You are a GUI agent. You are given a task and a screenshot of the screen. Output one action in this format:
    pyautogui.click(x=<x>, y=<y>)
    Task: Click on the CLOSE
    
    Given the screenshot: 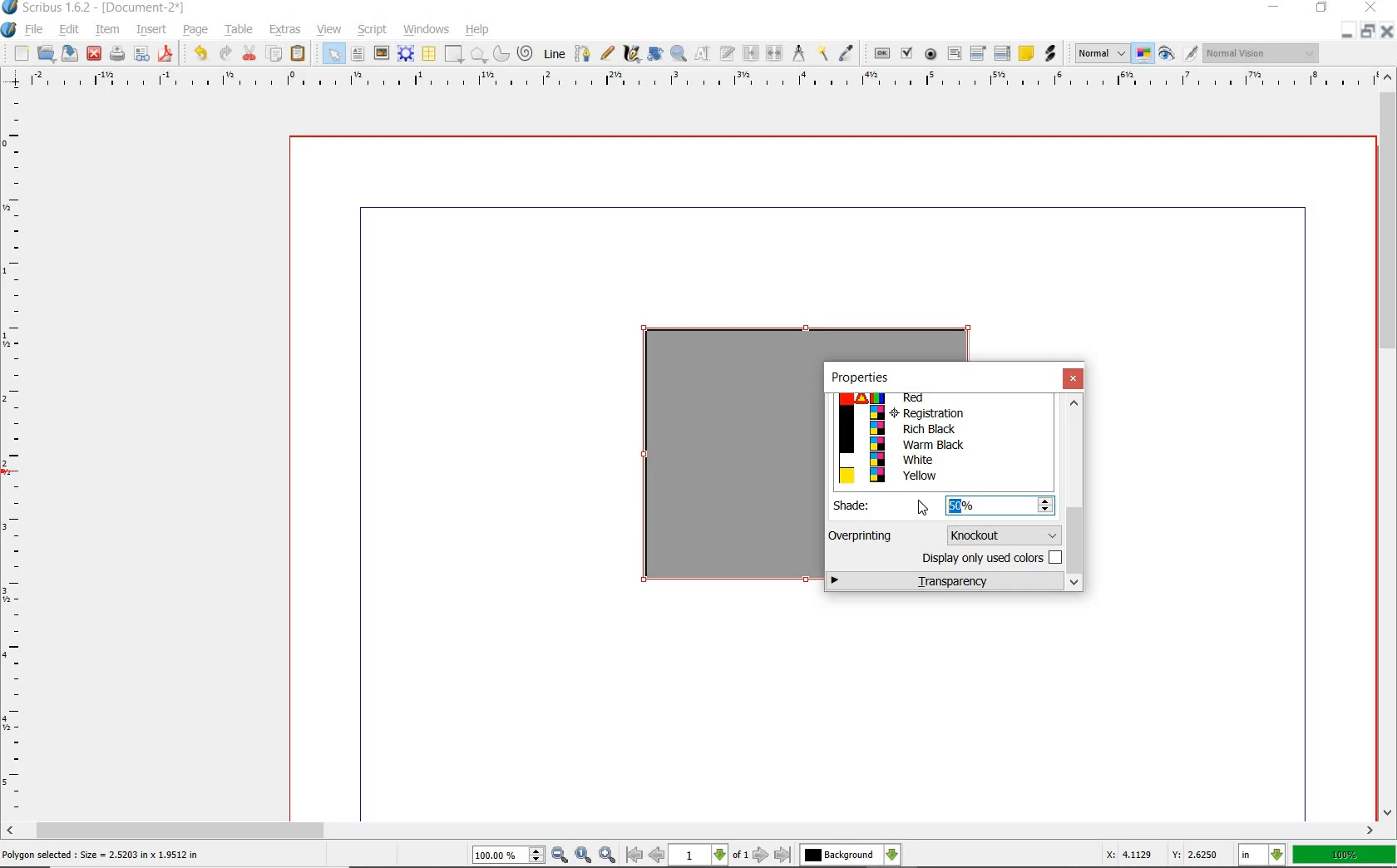 What is the action you would take?
    pyautogui.click(x=1385, y=33)
    